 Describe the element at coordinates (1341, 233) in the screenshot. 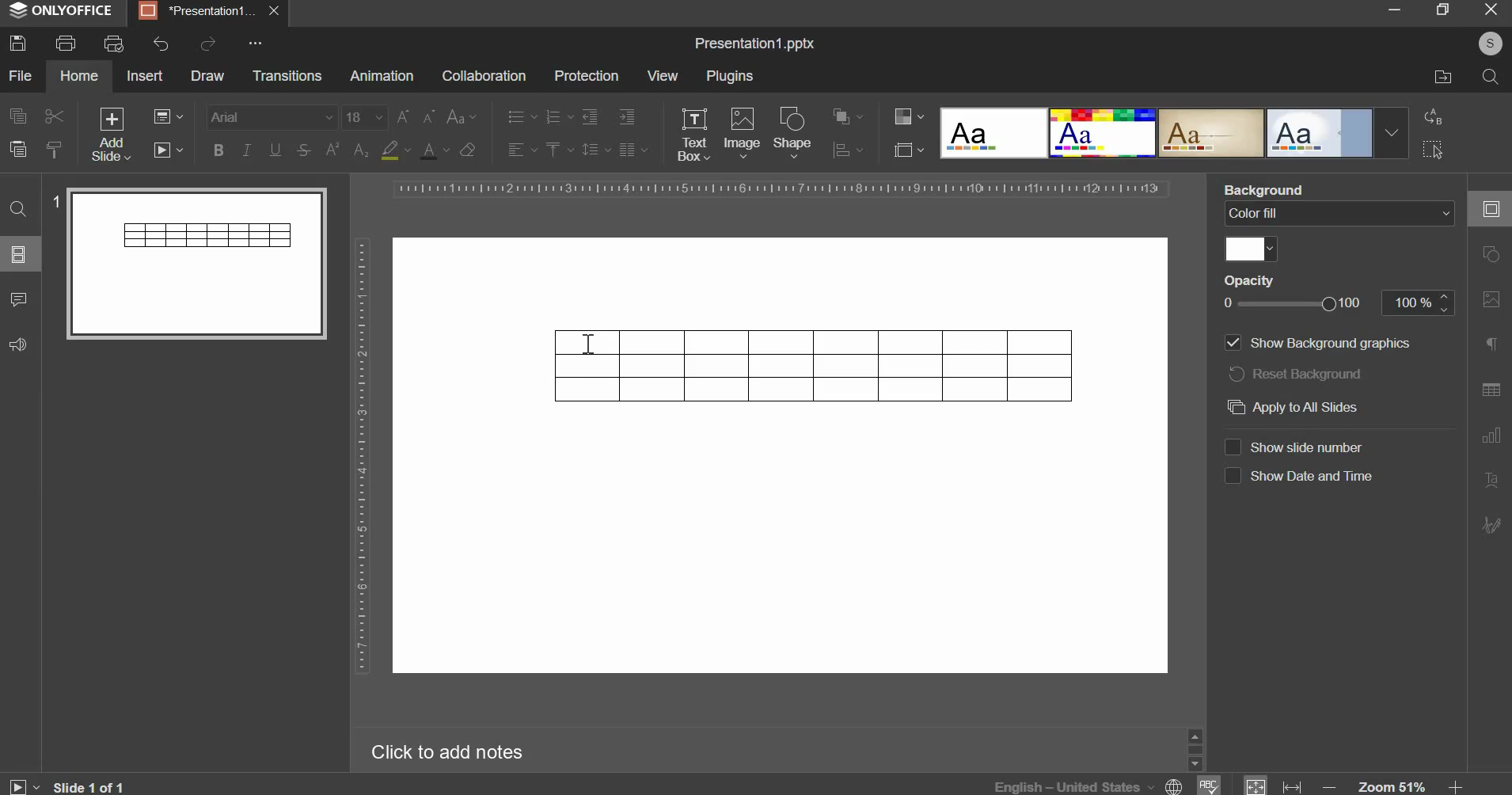

I see `Color fill` at that location.